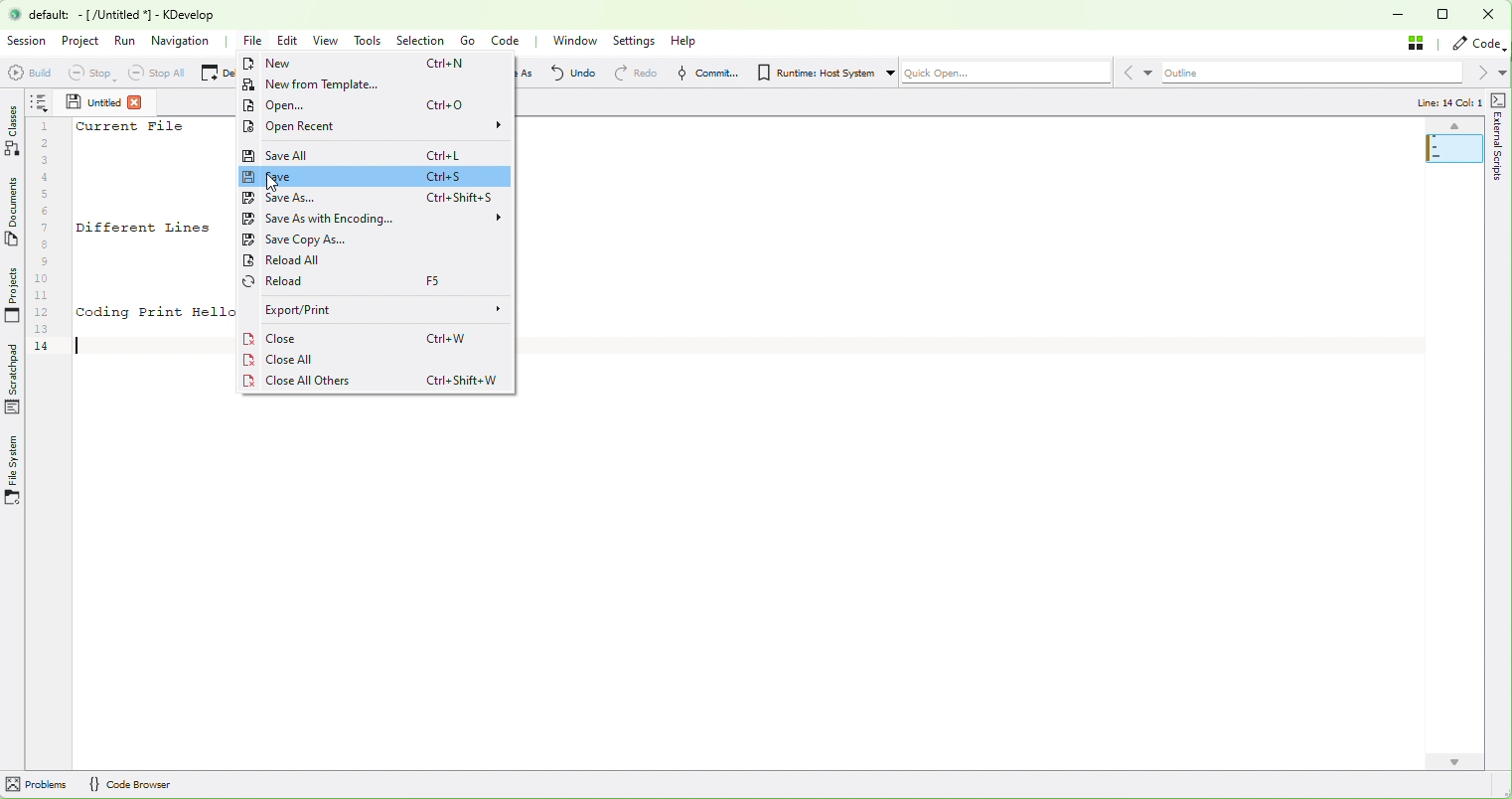 Image resolution: width=1512 pixels, height=799 pixels. Describe the element at coordinates (686, 41) in the screenshot. I see `Help` at that location.